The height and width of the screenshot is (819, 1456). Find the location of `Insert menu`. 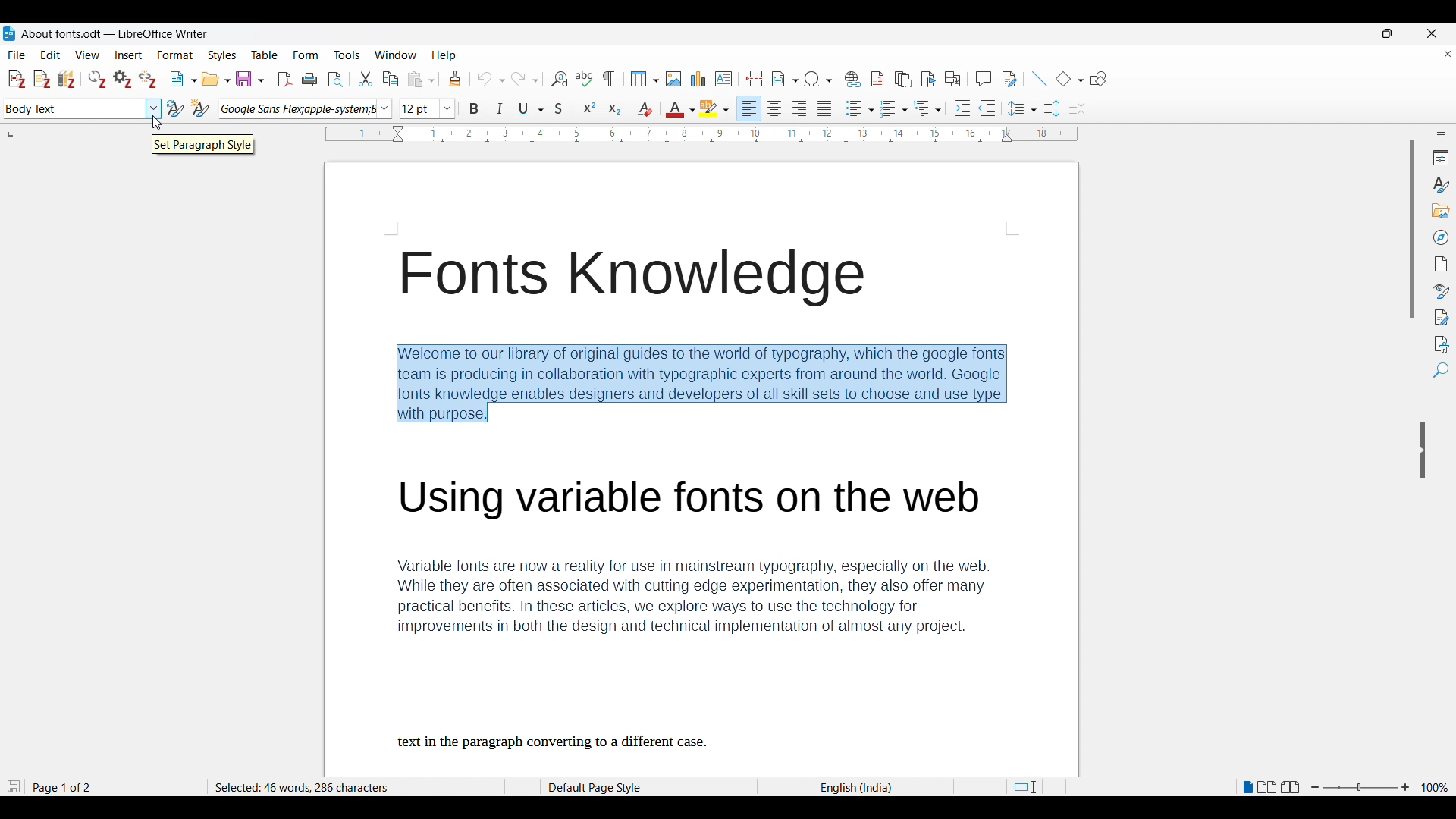

Insert menu is located at coordinates (129, 55).